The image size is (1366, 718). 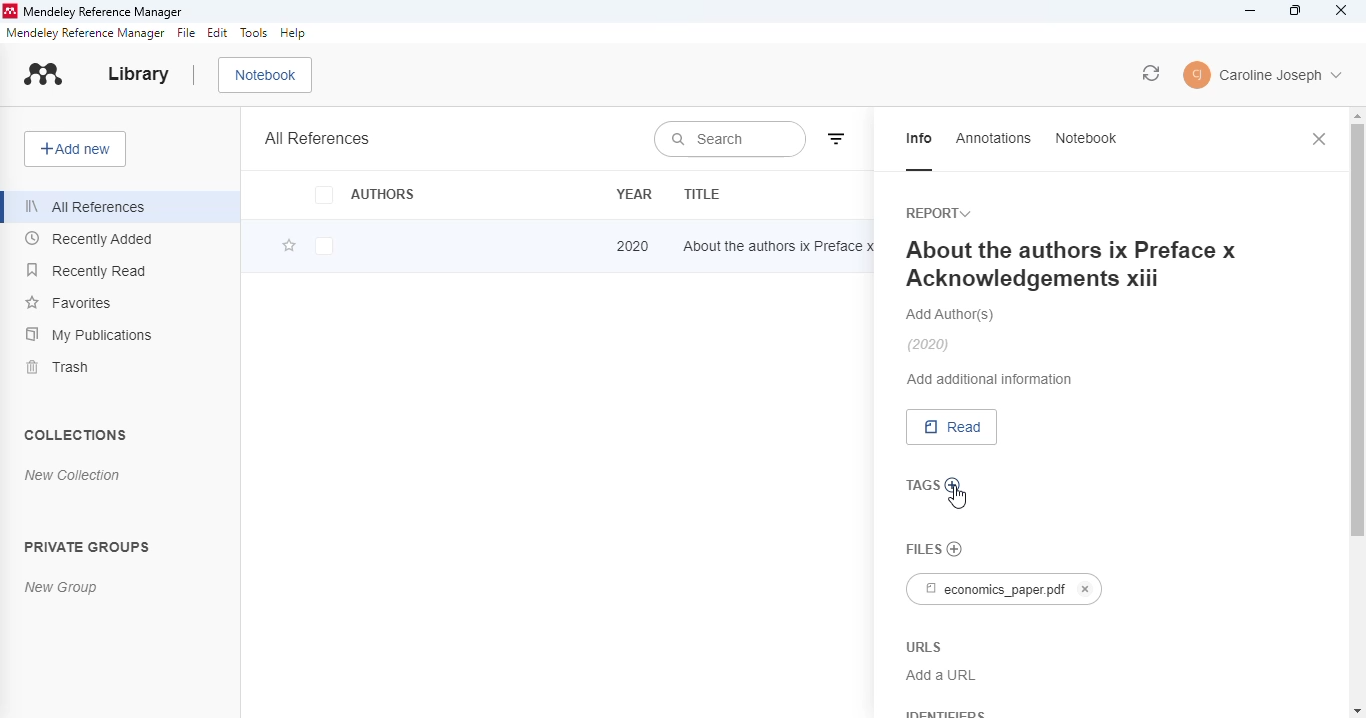 I want to click on minimize, so click(x=1252, y=11).